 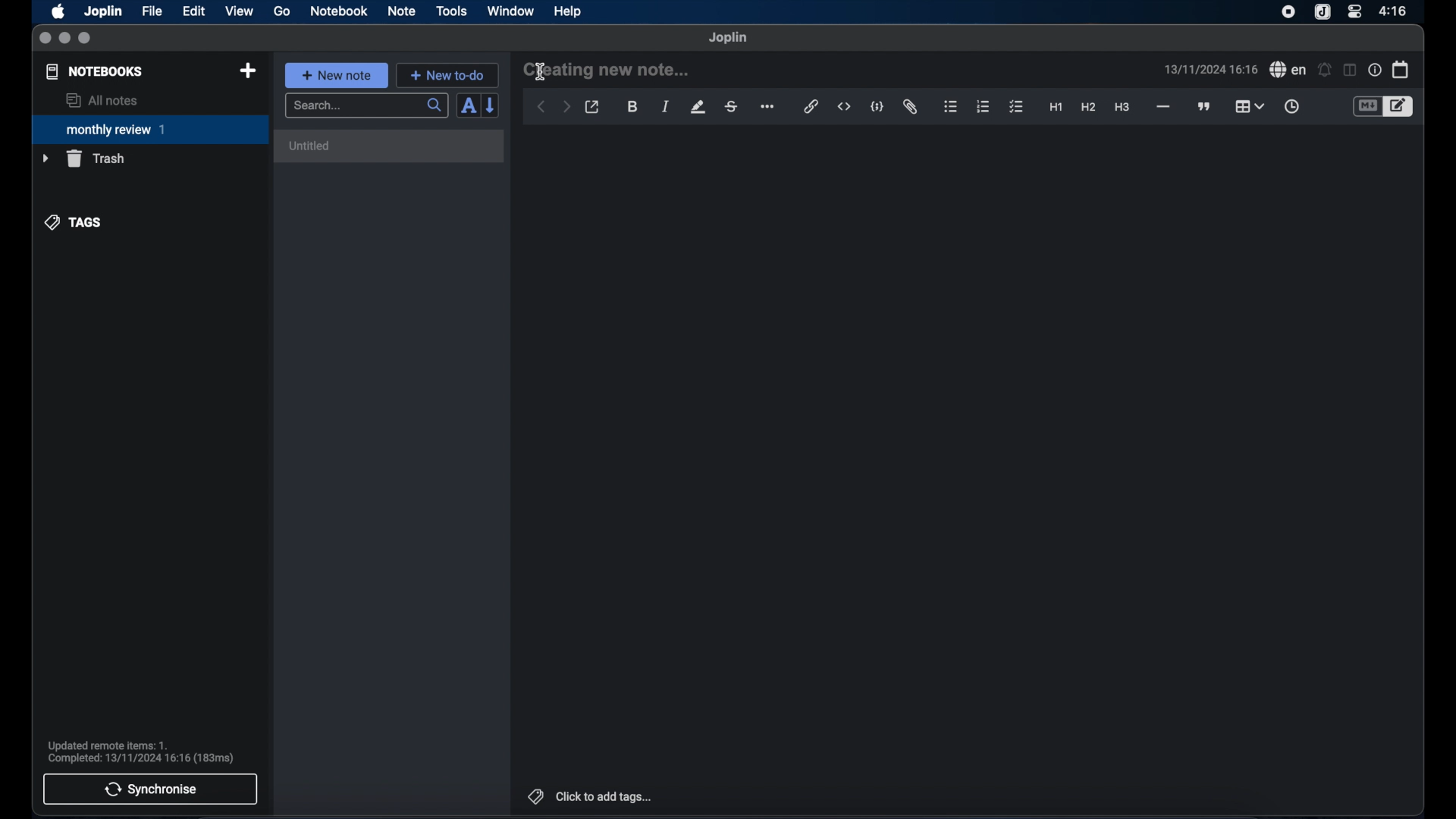 I want to click on toggle editor, so click(x=1367, y=107).